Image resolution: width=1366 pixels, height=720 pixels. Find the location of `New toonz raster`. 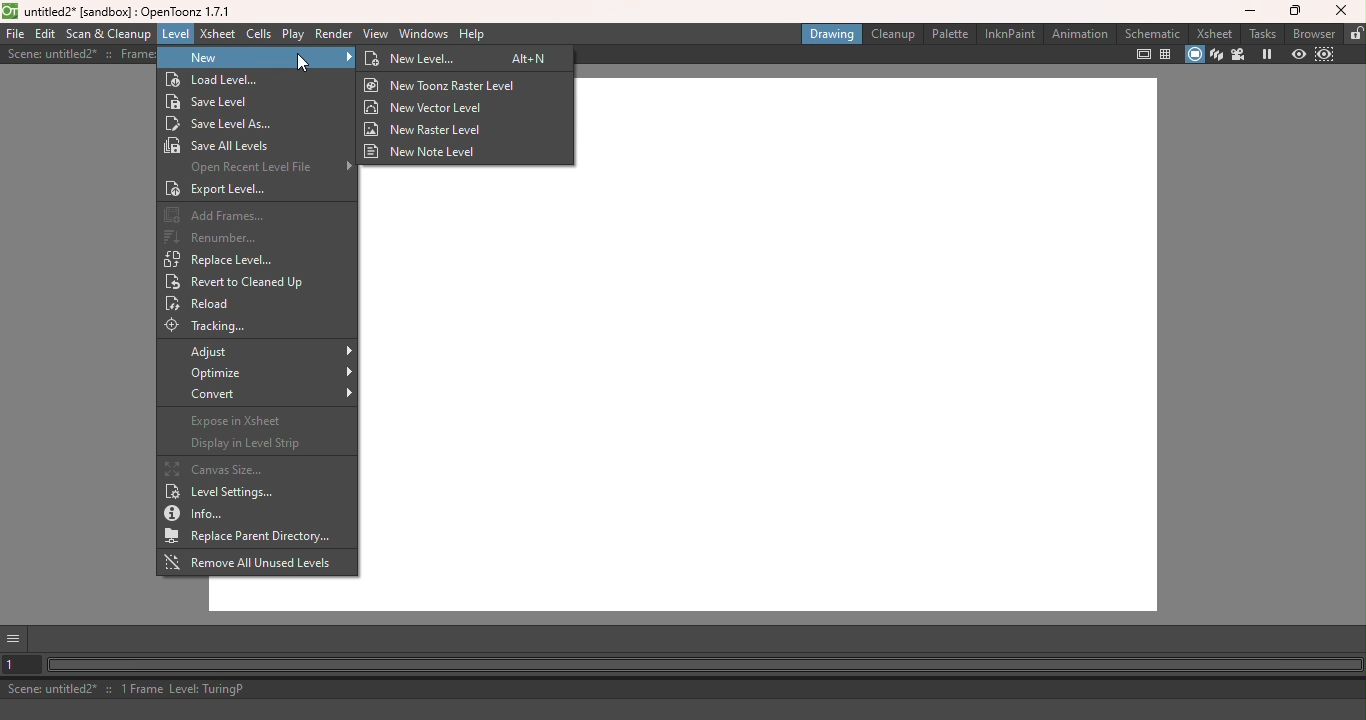

New toonz raster is located at coordinates (445, 86).